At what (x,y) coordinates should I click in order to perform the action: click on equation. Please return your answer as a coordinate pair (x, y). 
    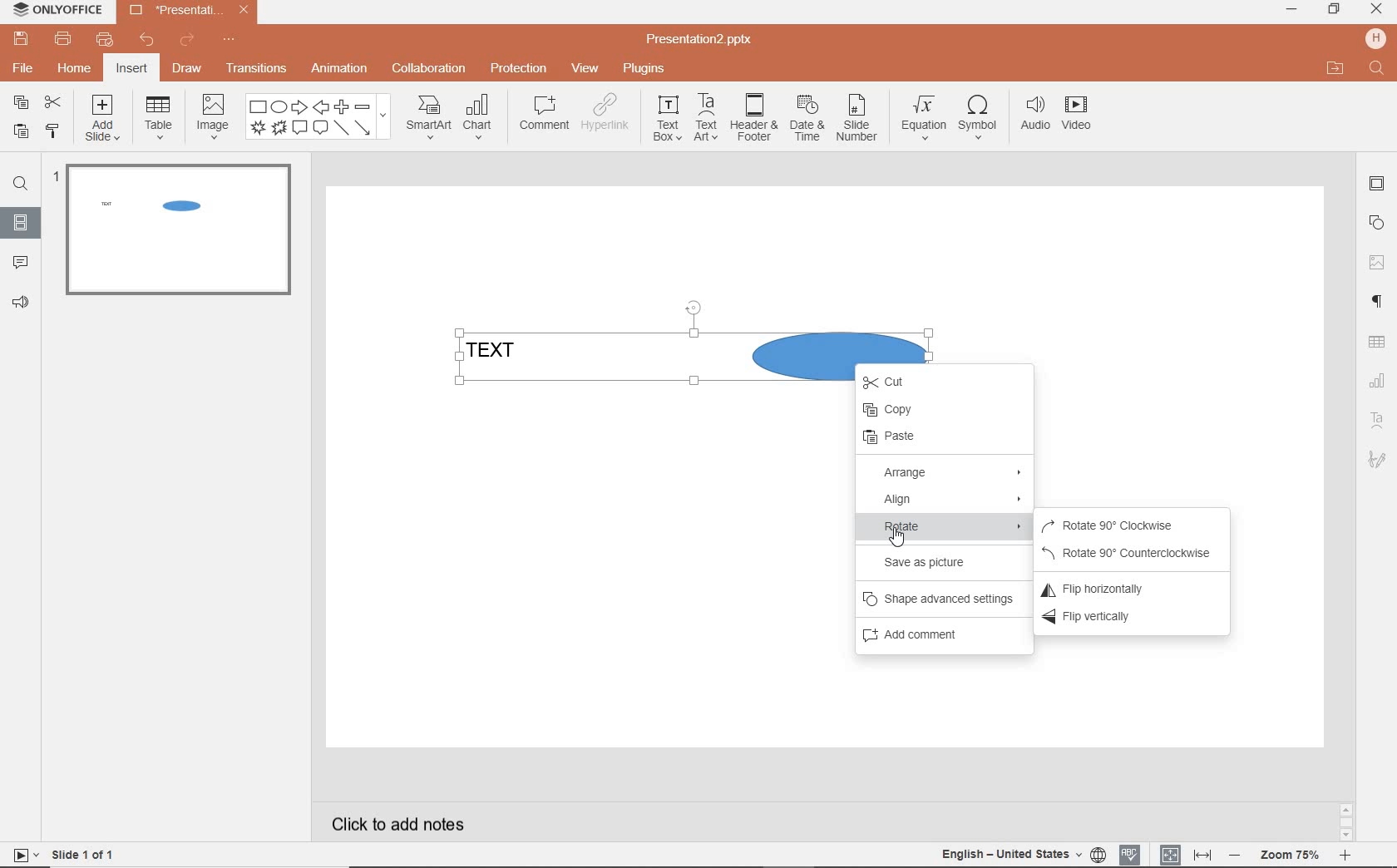
    Looking at the image, I should click on (921, 121).